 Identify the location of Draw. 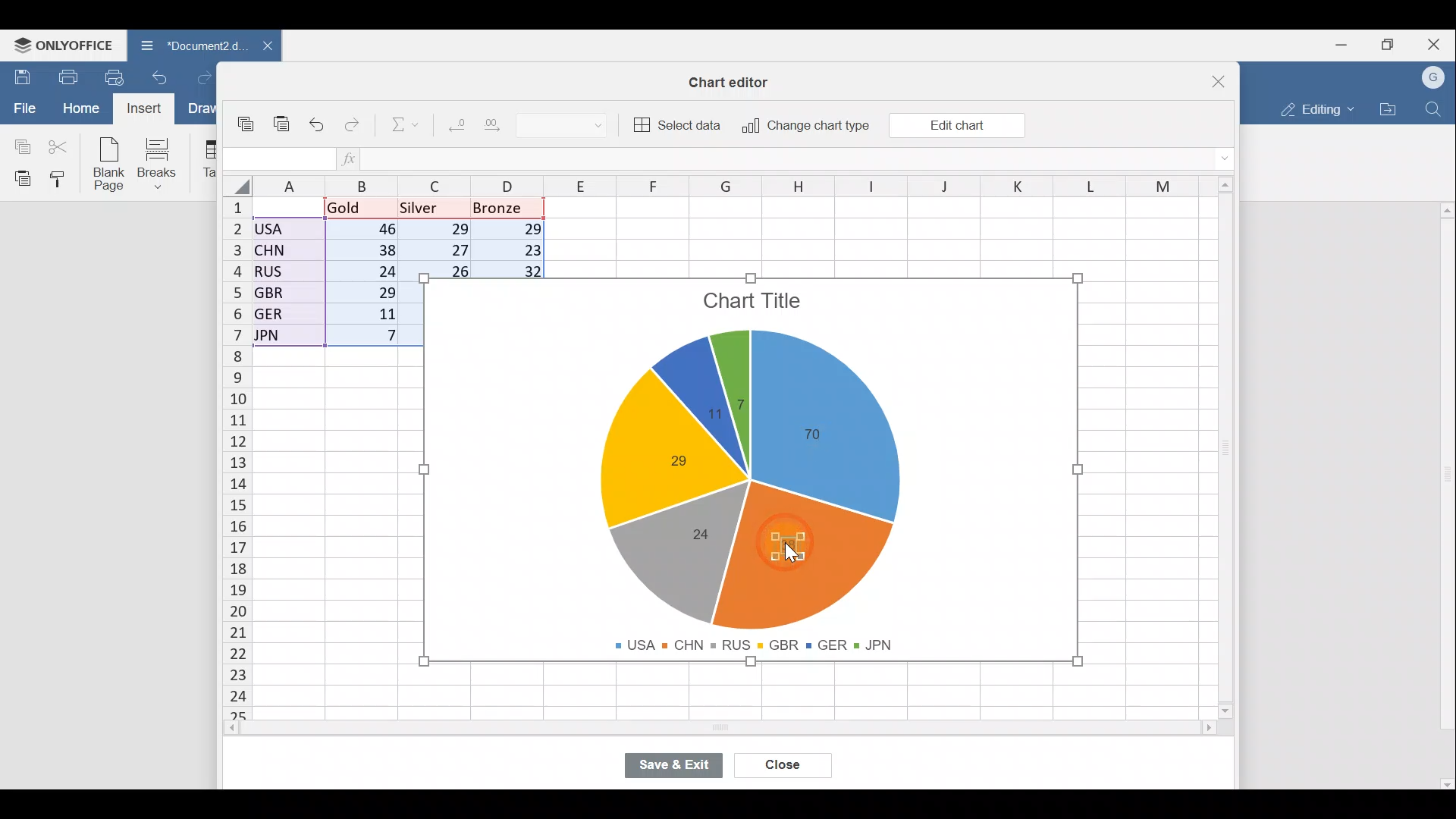
(206, 110).